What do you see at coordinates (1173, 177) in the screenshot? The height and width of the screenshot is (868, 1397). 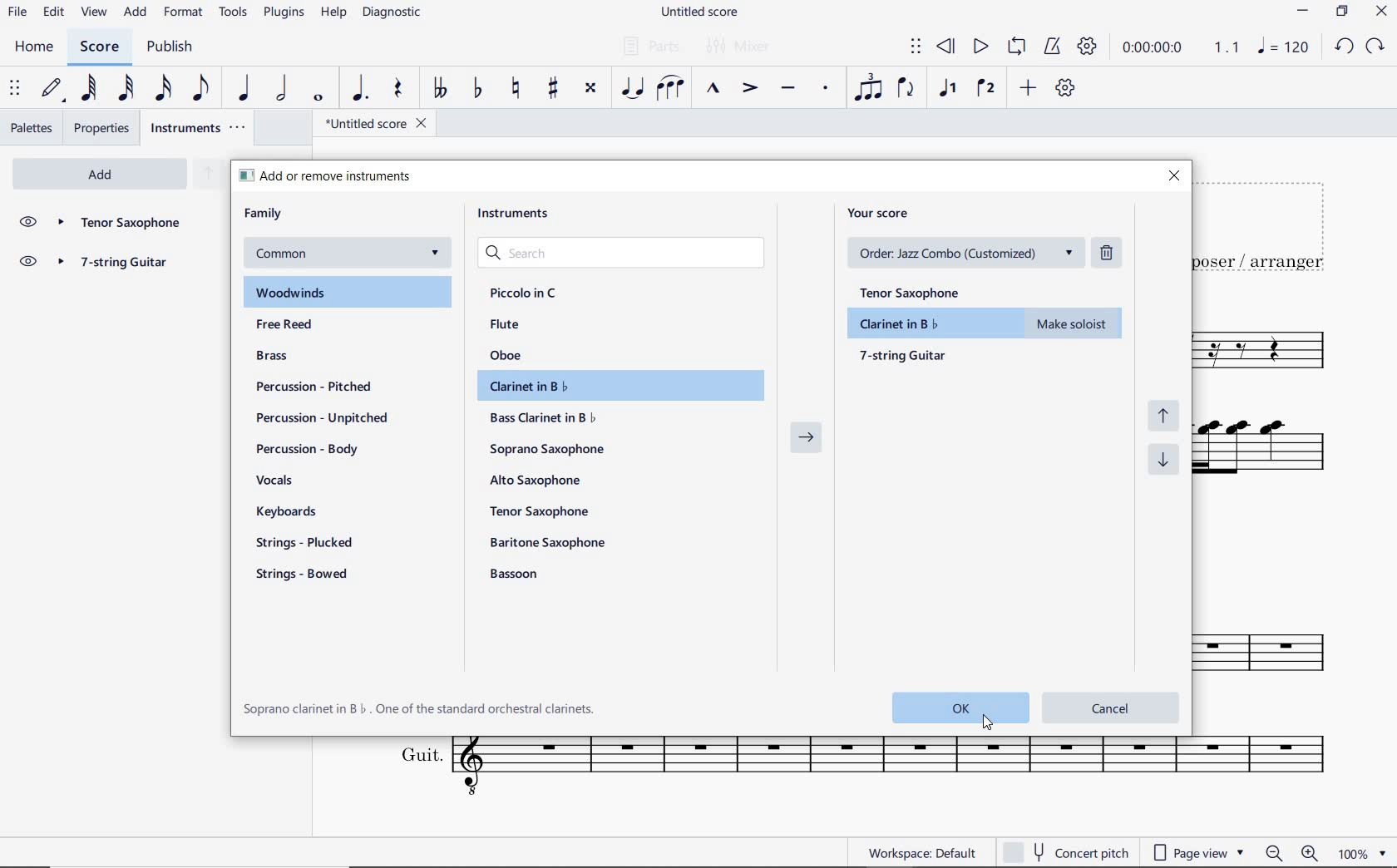 I see `close` at bounding box center [1173, 177].